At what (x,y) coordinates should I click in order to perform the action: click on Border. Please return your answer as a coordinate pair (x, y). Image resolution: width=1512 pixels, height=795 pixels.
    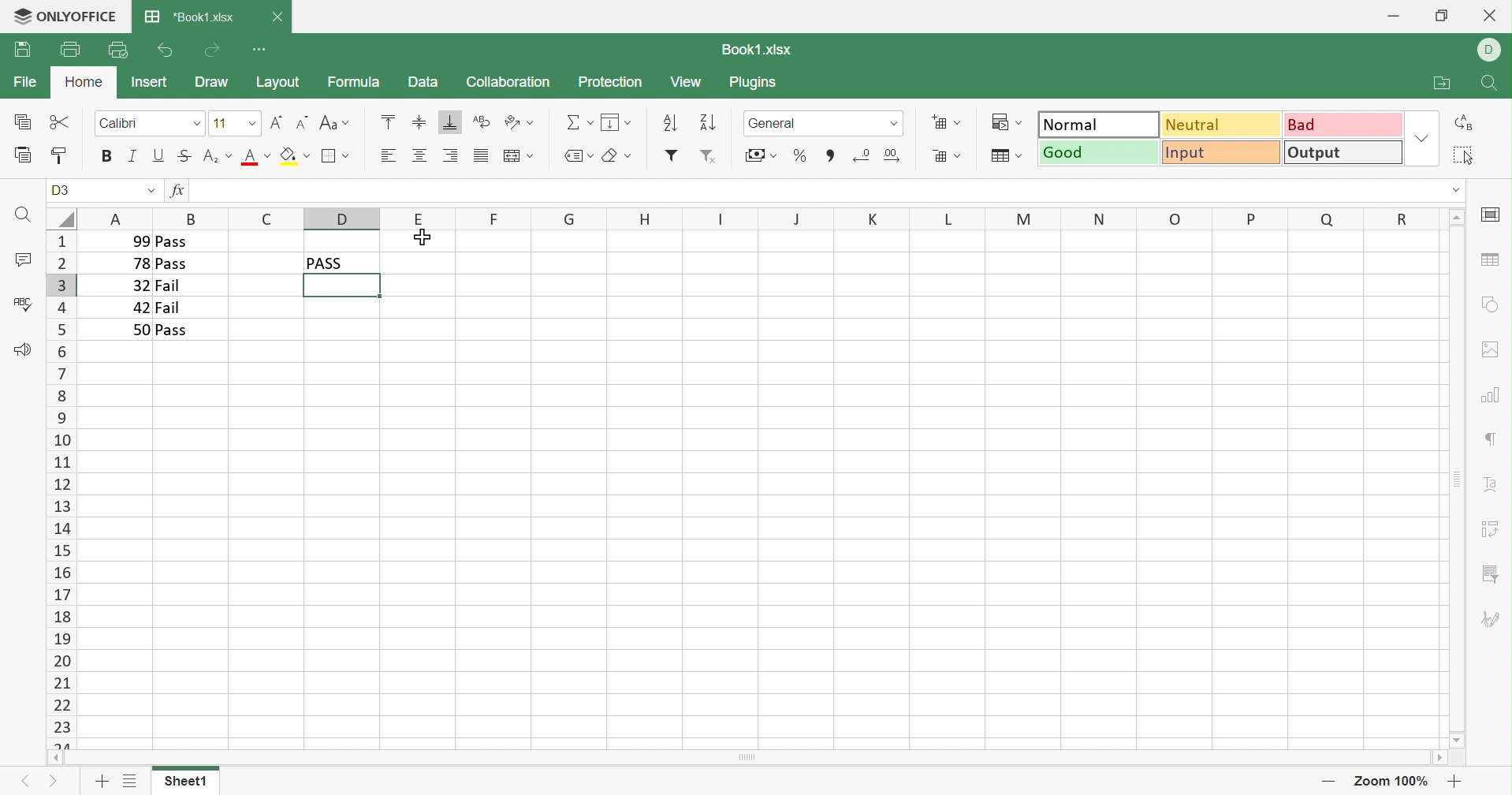
    Looking at the image, I should click on (336, 156).